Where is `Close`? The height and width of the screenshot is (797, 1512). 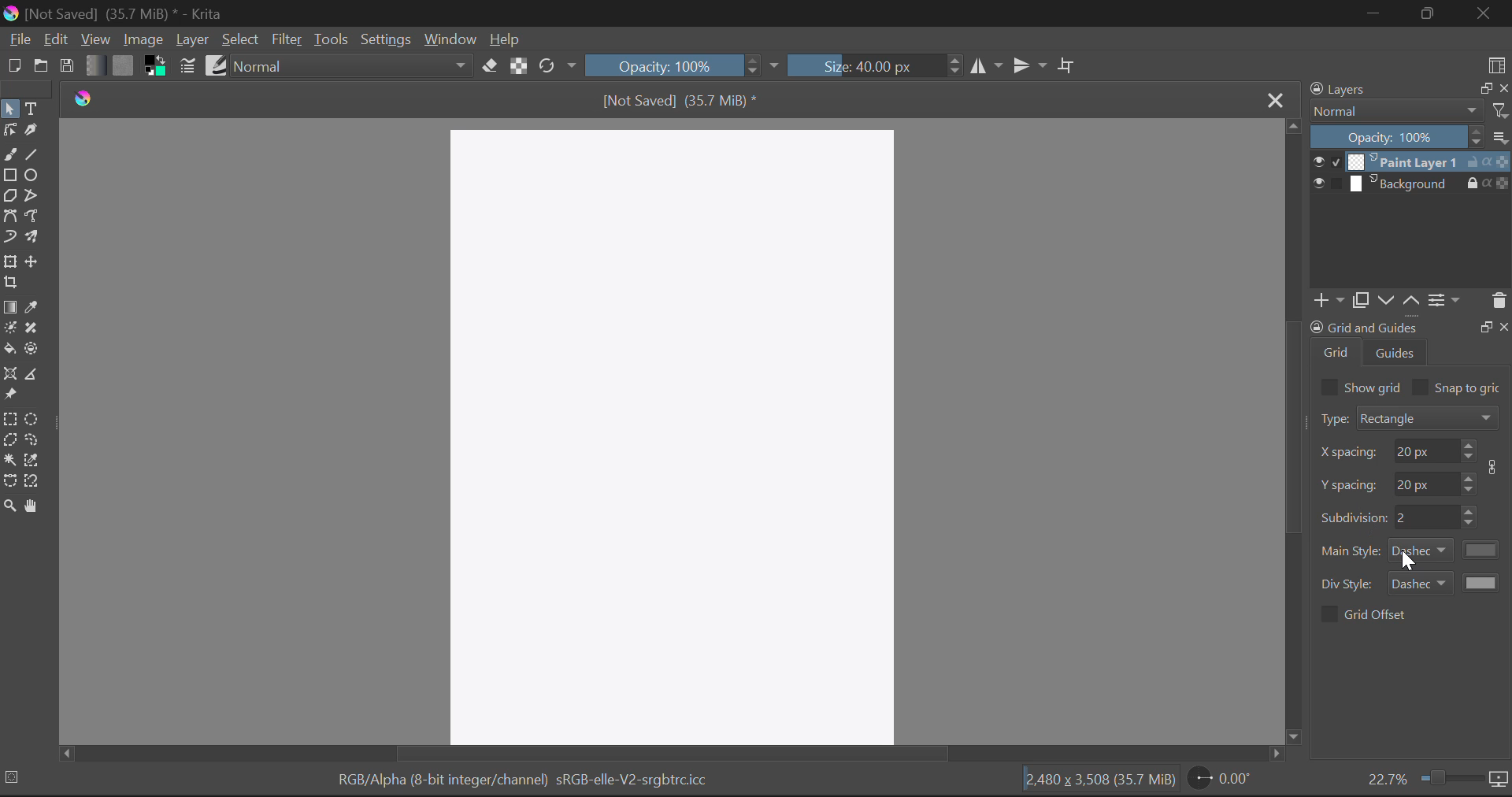 Close is located at coordinates (1274, 100).